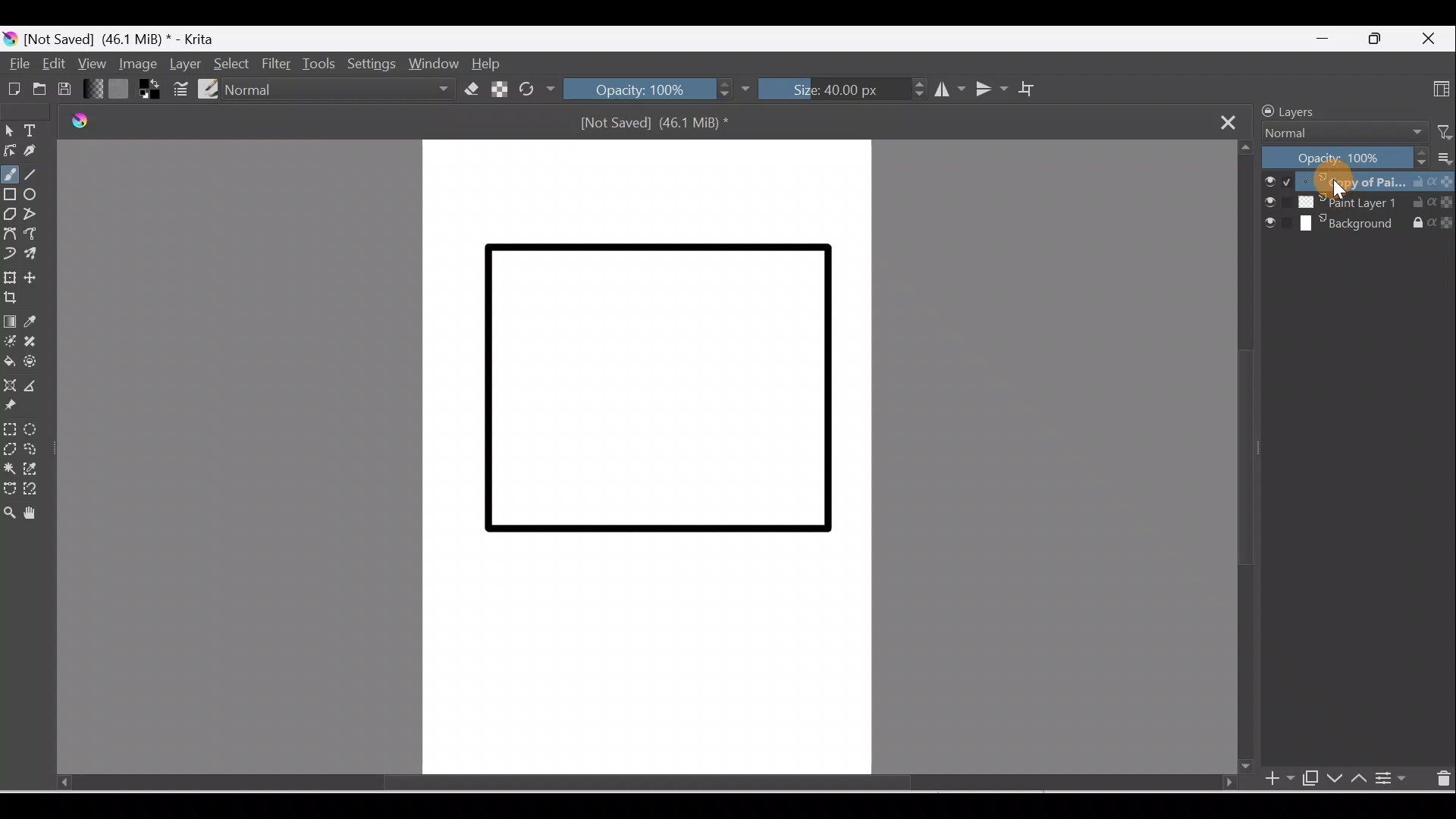 This screenshot has height=819, width=1456. What do you see at coordinates (12, 234) in the screenshot?
I see `Bezier curve tool` at bounding box center [12, 234].